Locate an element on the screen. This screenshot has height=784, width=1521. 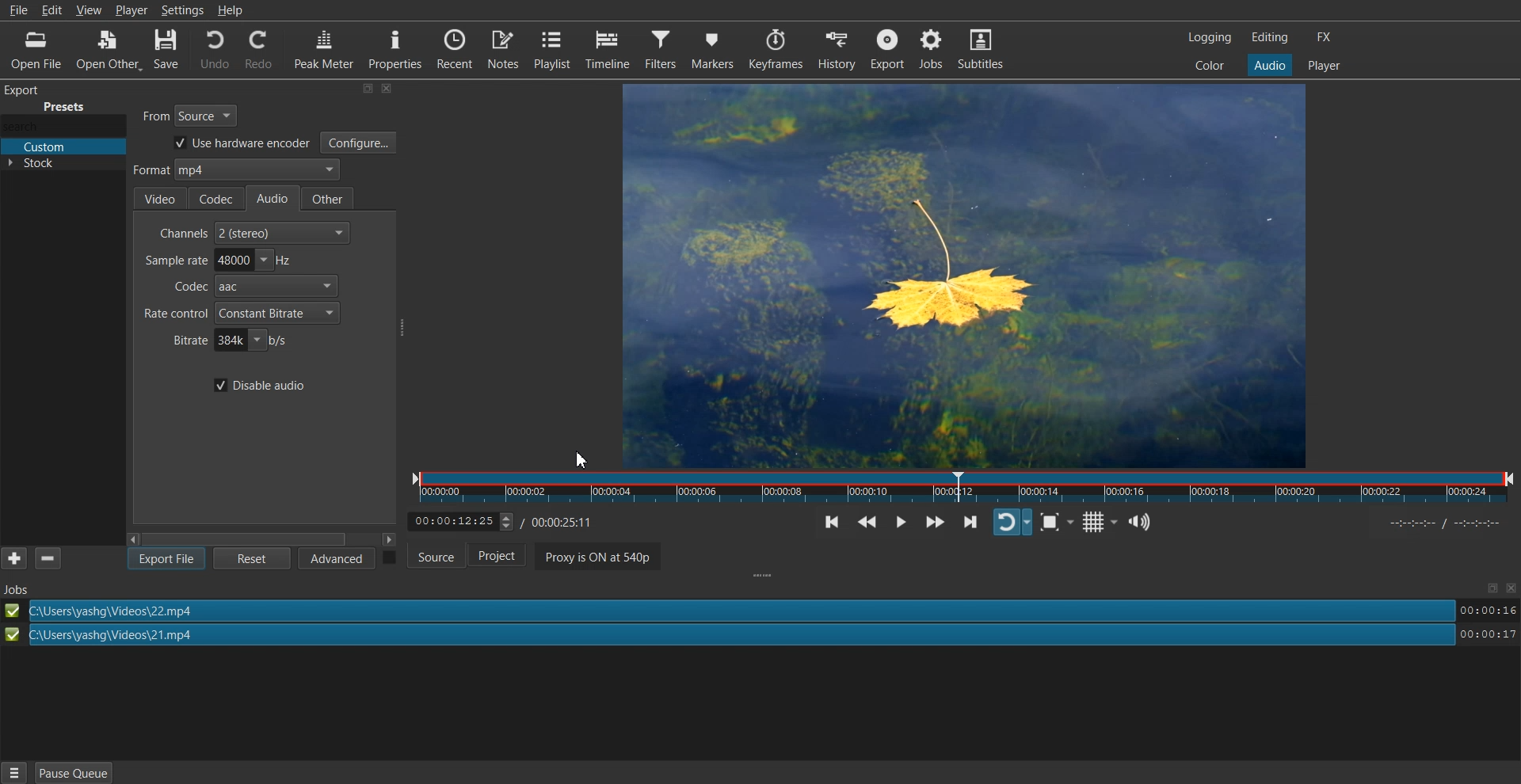
Audio format selector is located at coordinates (234, 171).